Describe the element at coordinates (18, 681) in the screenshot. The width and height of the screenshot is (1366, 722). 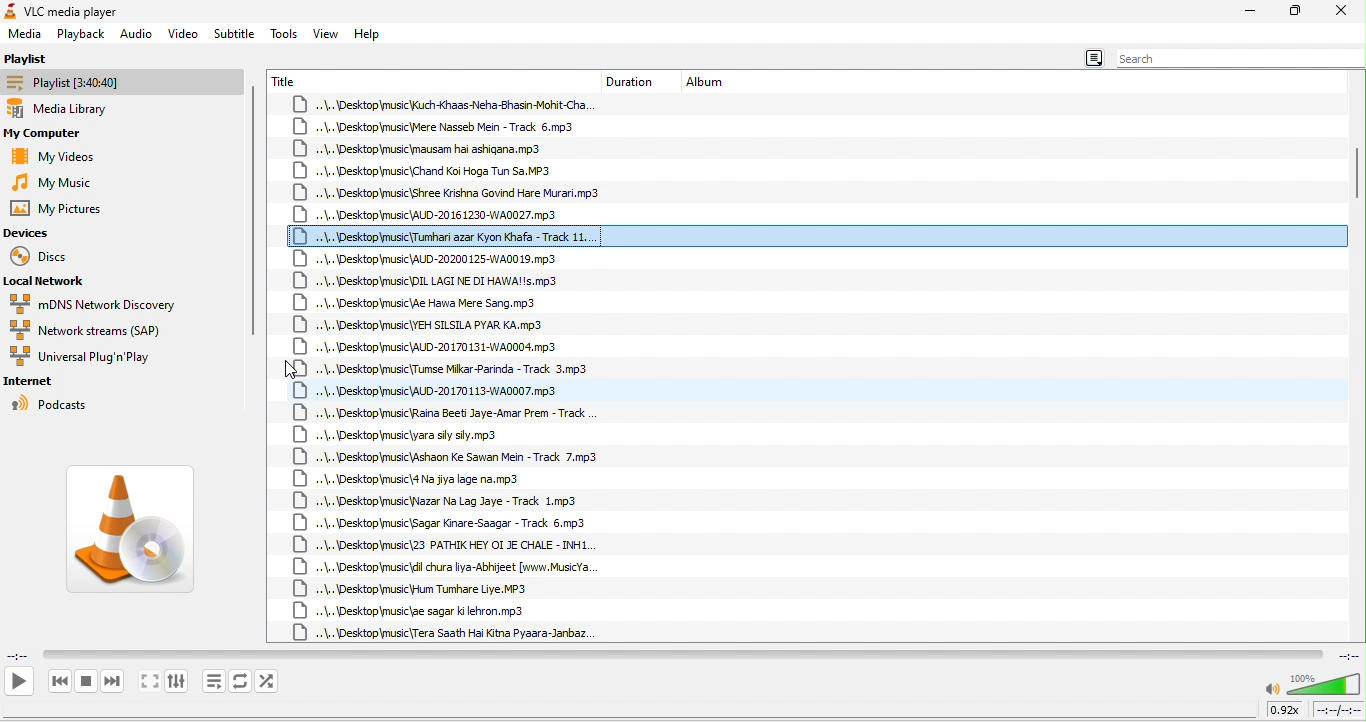
I see `play` at that location.